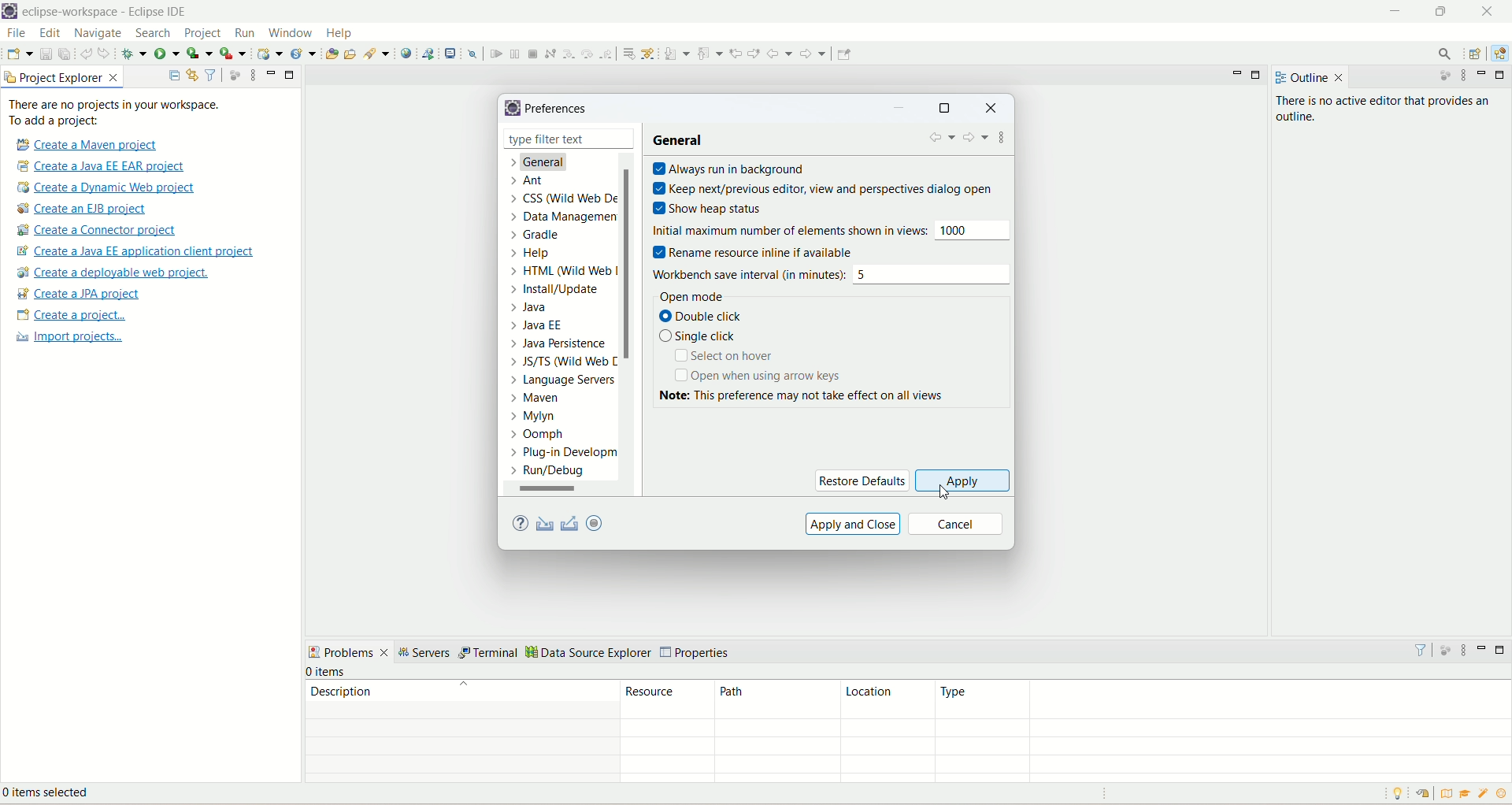  What do you see at coordinates (1299, 78) in the screenshot?
I see `outline` at bounding box center [1299, 78].